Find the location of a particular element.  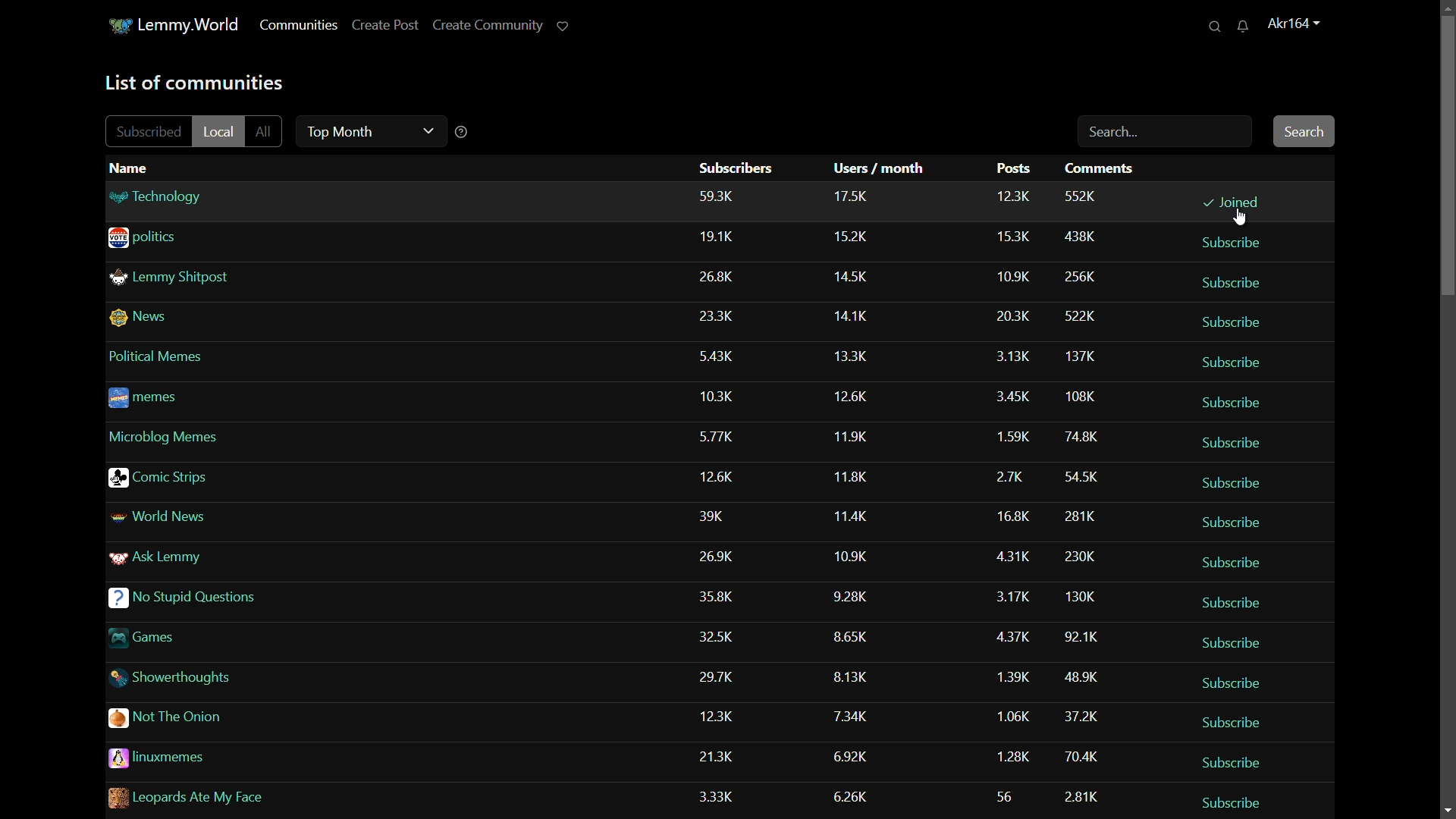

comments is located at coordinates (1104, 169).